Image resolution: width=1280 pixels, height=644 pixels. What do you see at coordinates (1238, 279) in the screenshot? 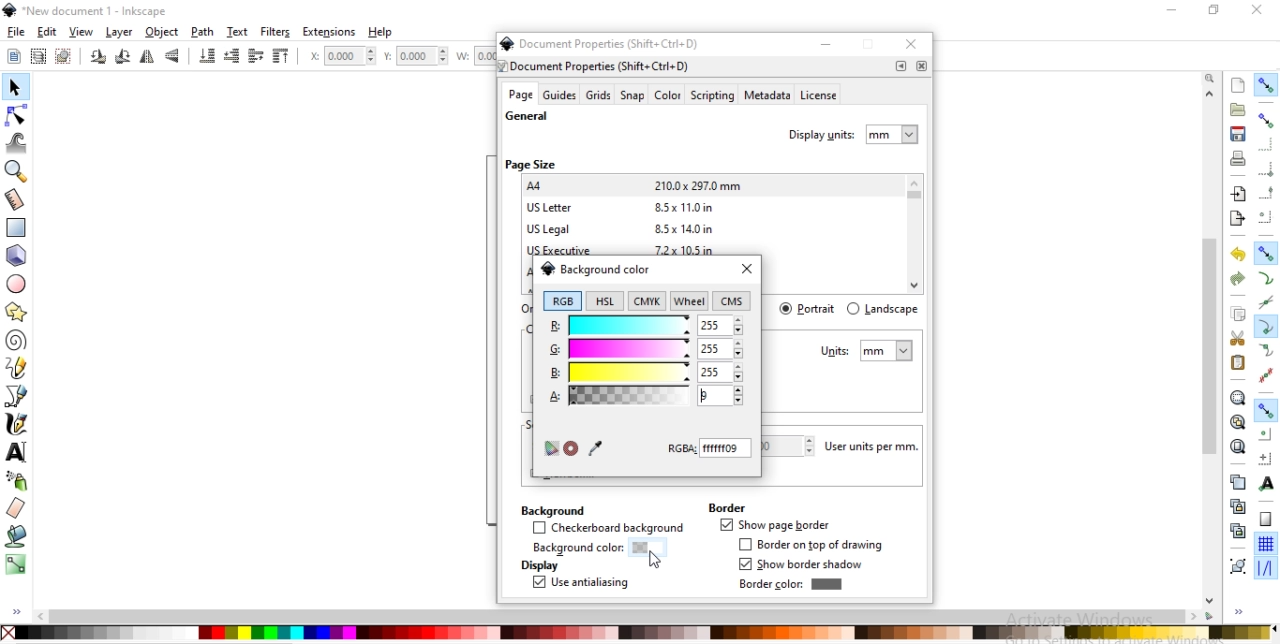
I see `redo` at bounding box center [1238, 279].